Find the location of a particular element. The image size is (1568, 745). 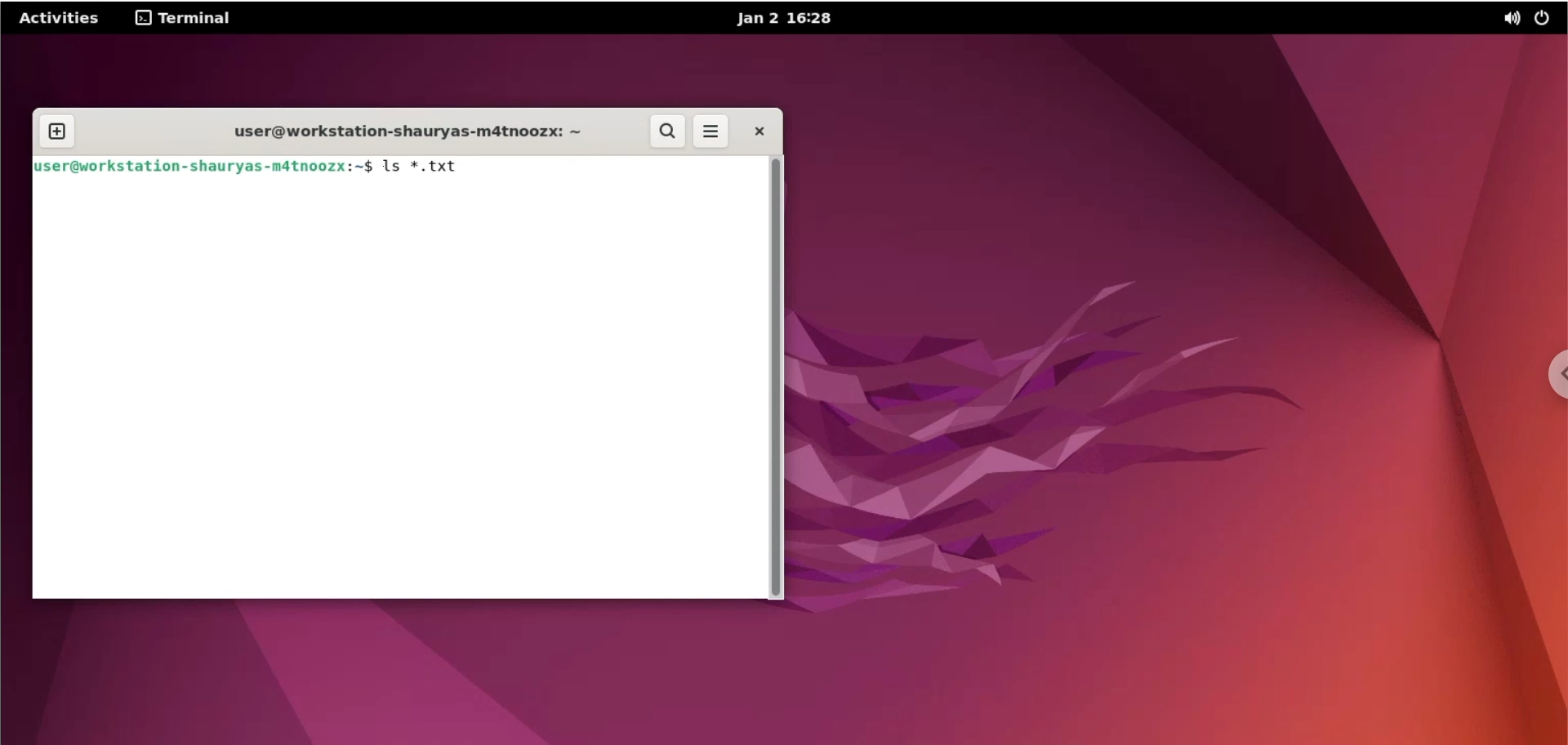

search is located at coordinates (667, 132).